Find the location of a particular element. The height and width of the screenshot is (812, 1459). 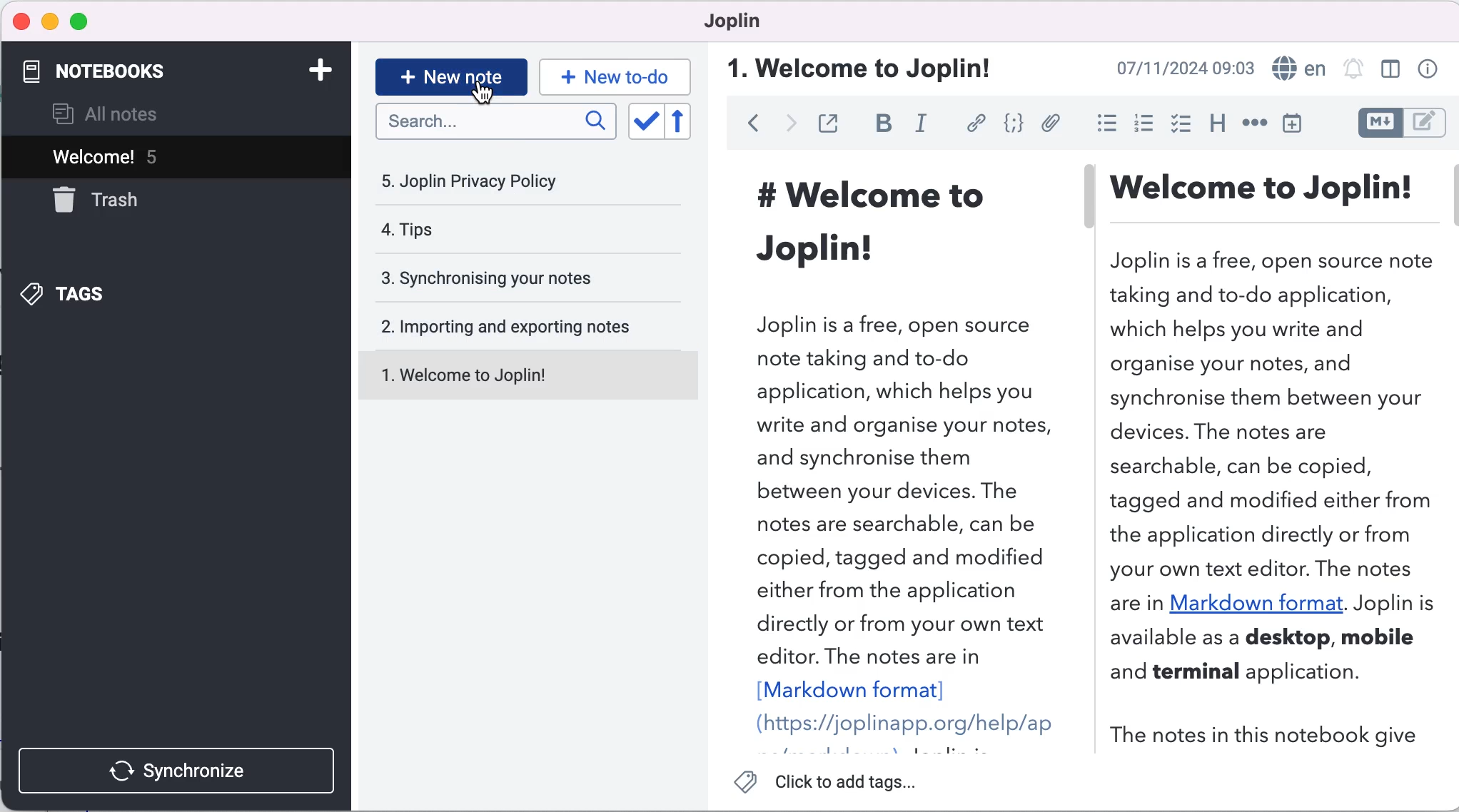

toggle editor layout is located at coordinates (1390, 70).